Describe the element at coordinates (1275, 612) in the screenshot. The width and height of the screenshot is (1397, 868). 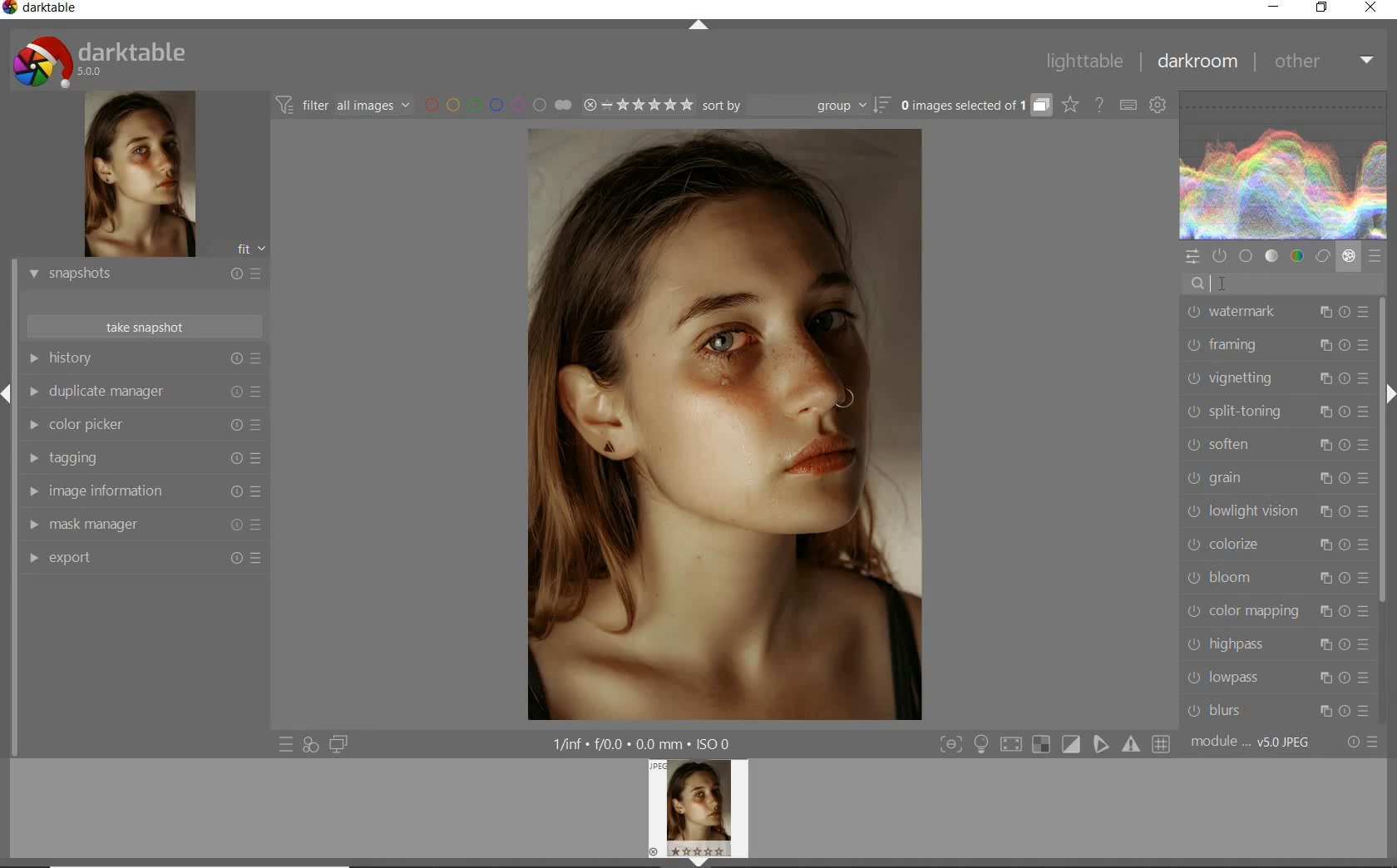
I see `color mapping` at that location.